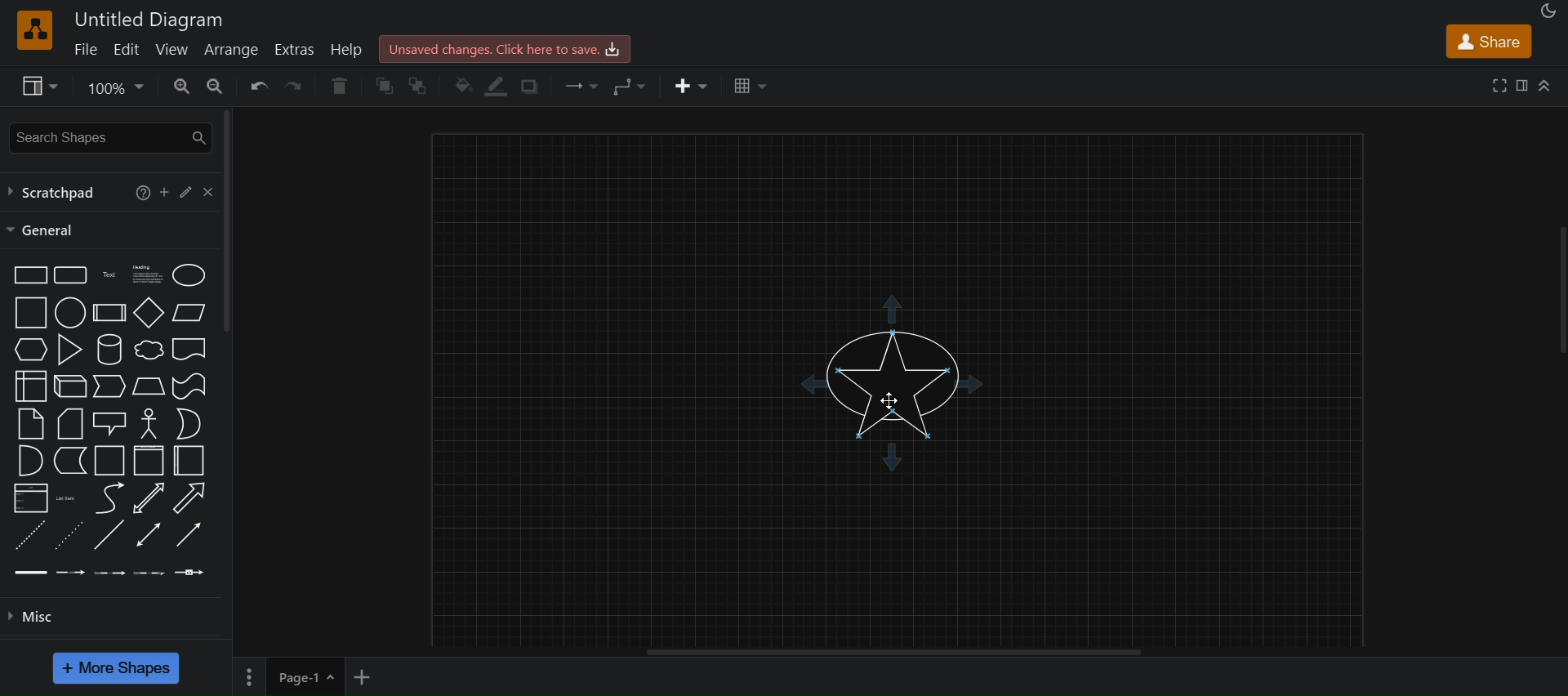 The width and height of the screenshot is (1568, 696). I want to click on view, so click(173, 51).